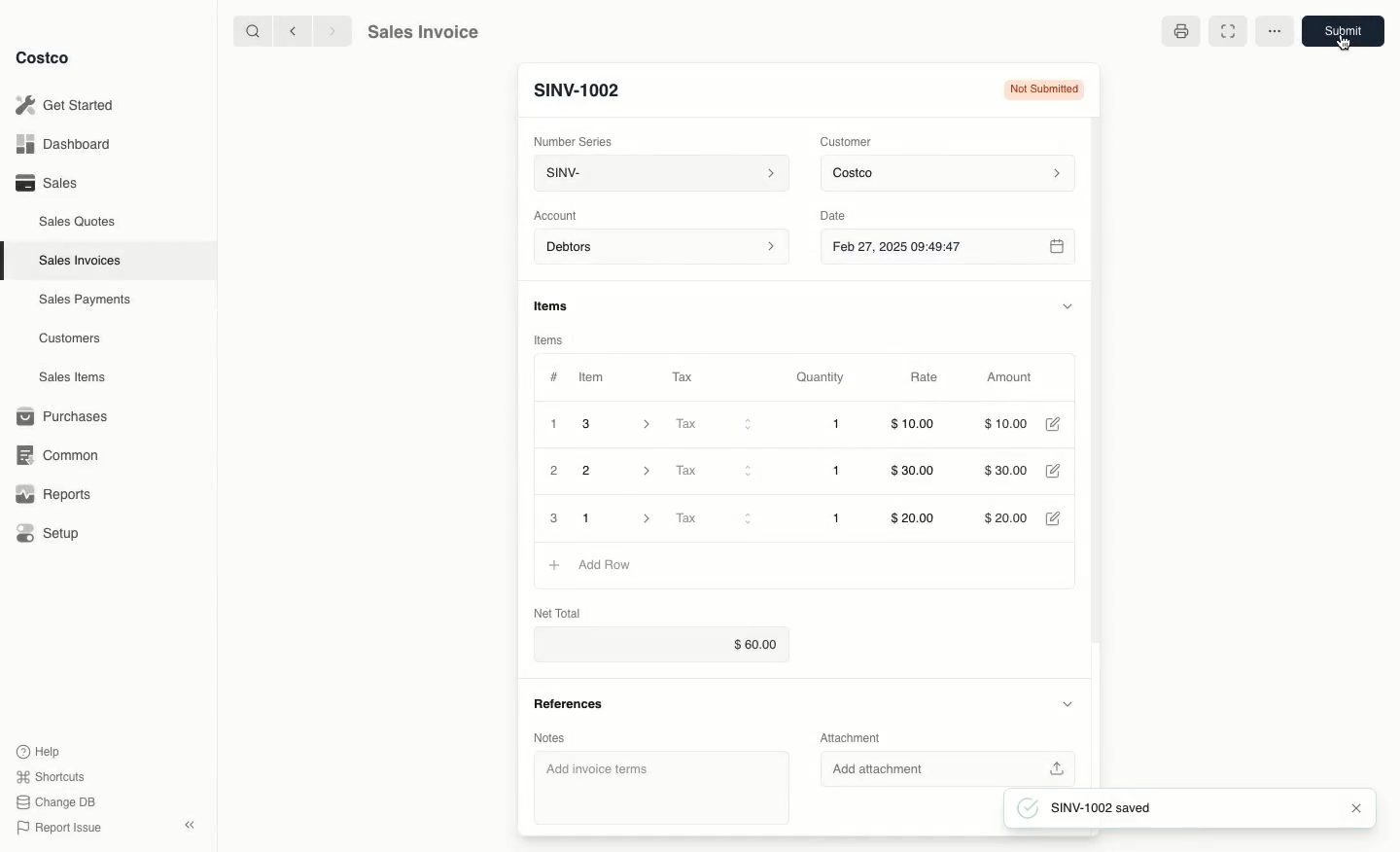 The height and width of the screenshot is (852, 1400). I want to click on Get Started, so click(68, 105).